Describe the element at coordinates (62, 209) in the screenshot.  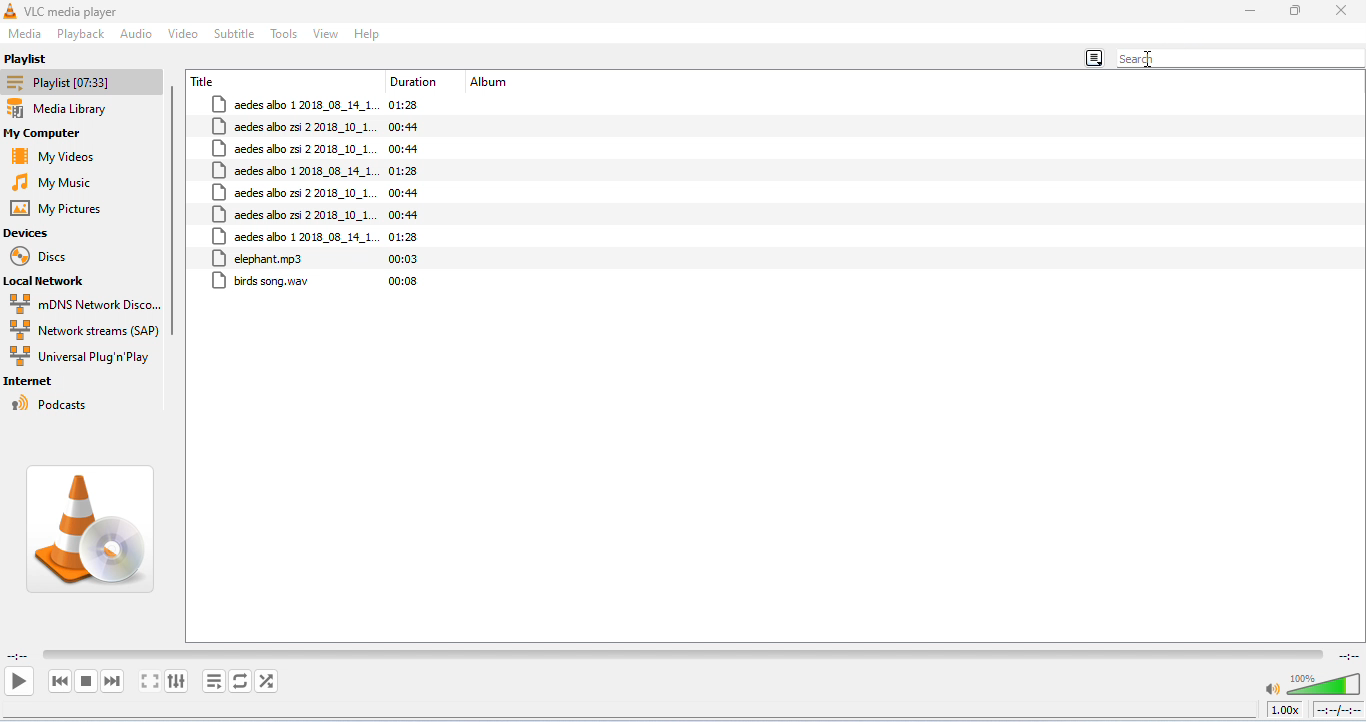
I see `my pictures` at that location.